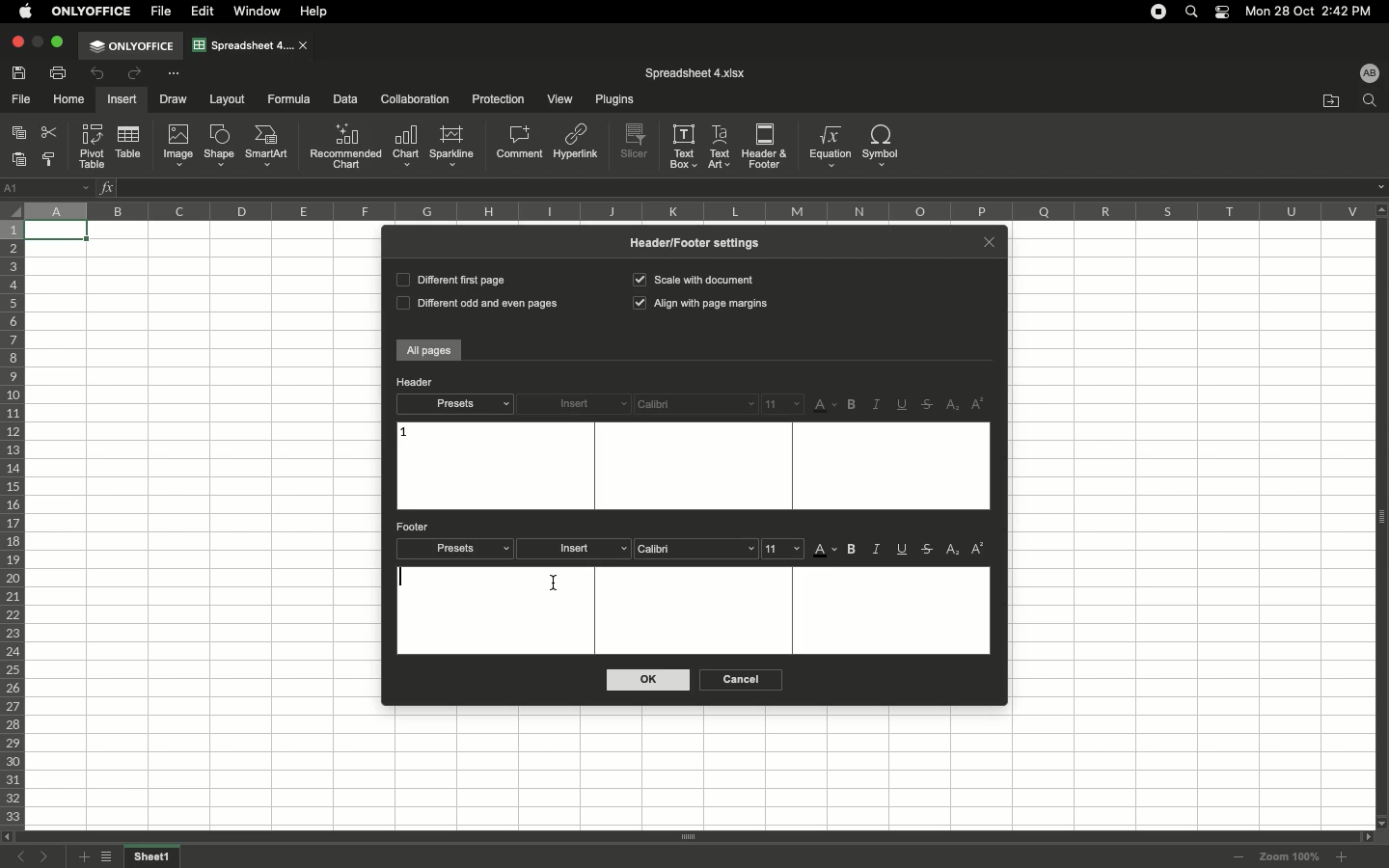 The width and height of the screenshot is (1389, 868). I want to click on Comment, so click(521, 144).